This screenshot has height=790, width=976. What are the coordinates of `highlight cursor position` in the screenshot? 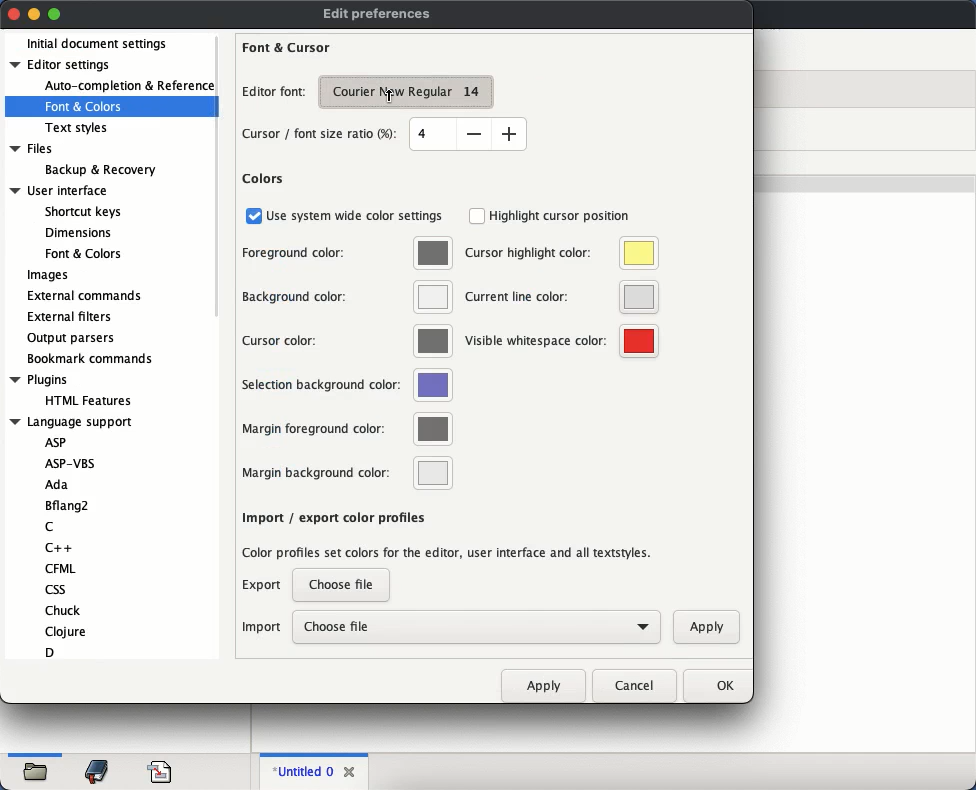 It's located at (551, 216).